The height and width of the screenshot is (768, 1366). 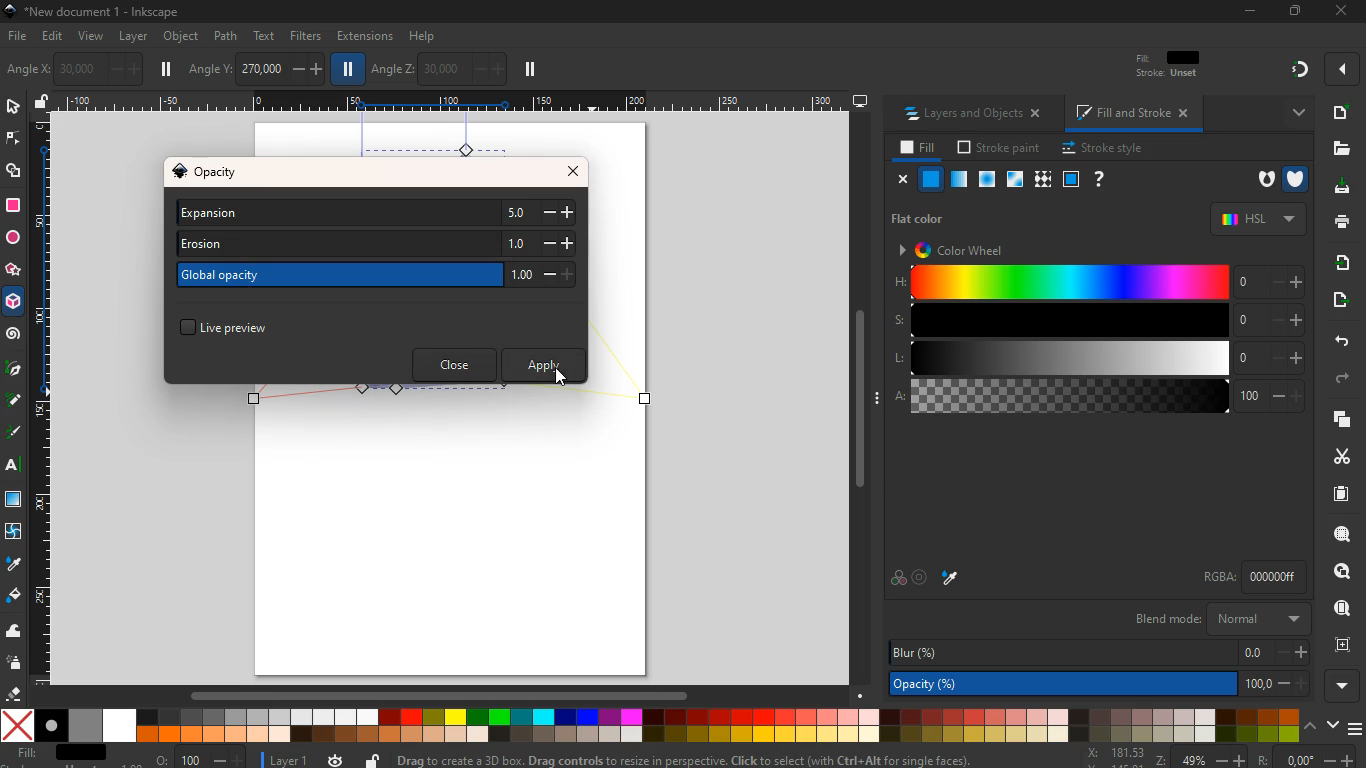 I want to click on receive, so click(x=1336, y=262).